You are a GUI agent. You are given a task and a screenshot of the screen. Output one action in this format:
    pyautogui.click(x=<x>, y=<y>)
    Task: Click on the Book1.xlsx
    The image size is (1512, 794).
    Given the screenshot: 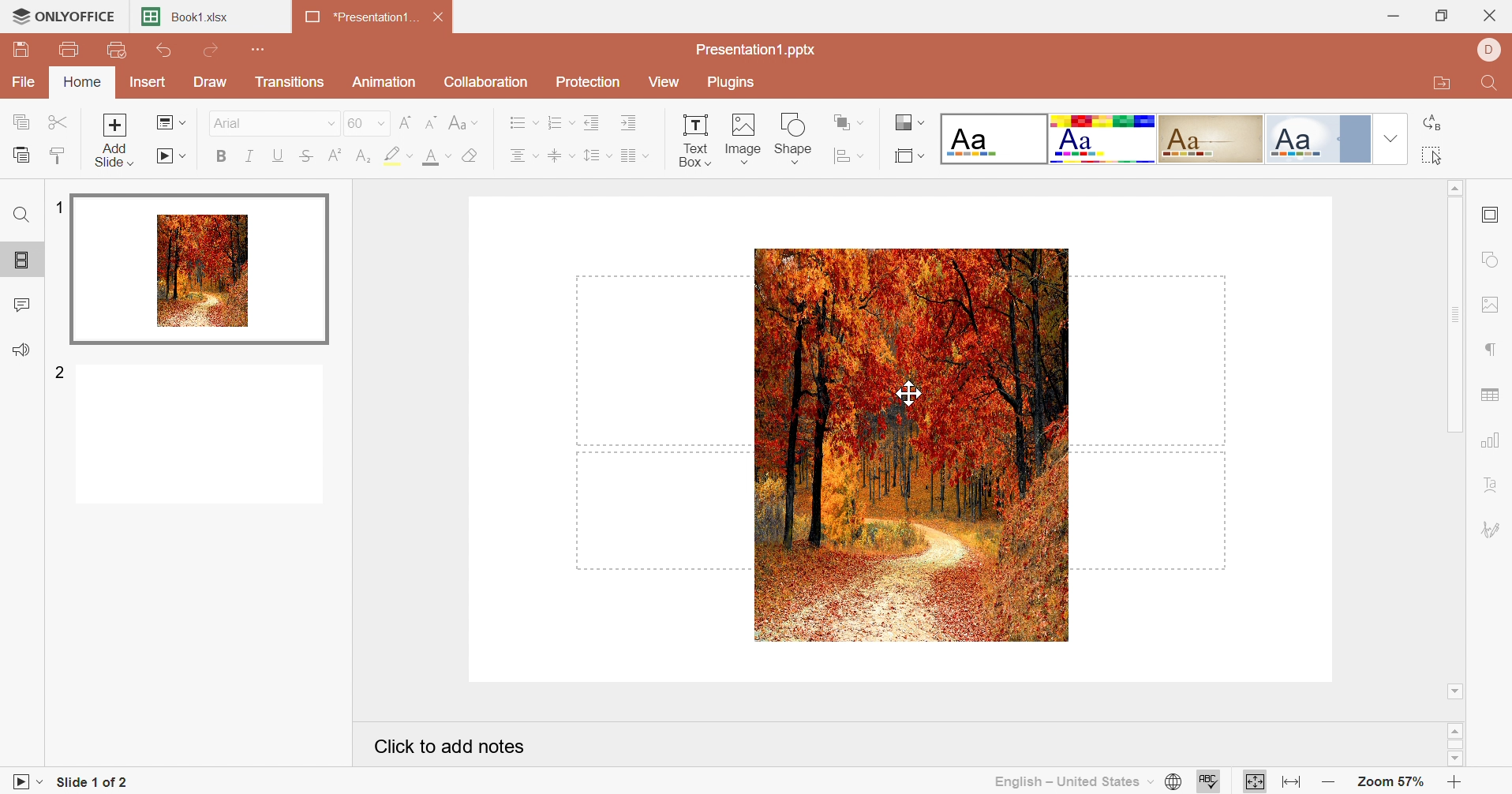 What is the action you would take?
    pyautogui.click(x=190, y=17)
    